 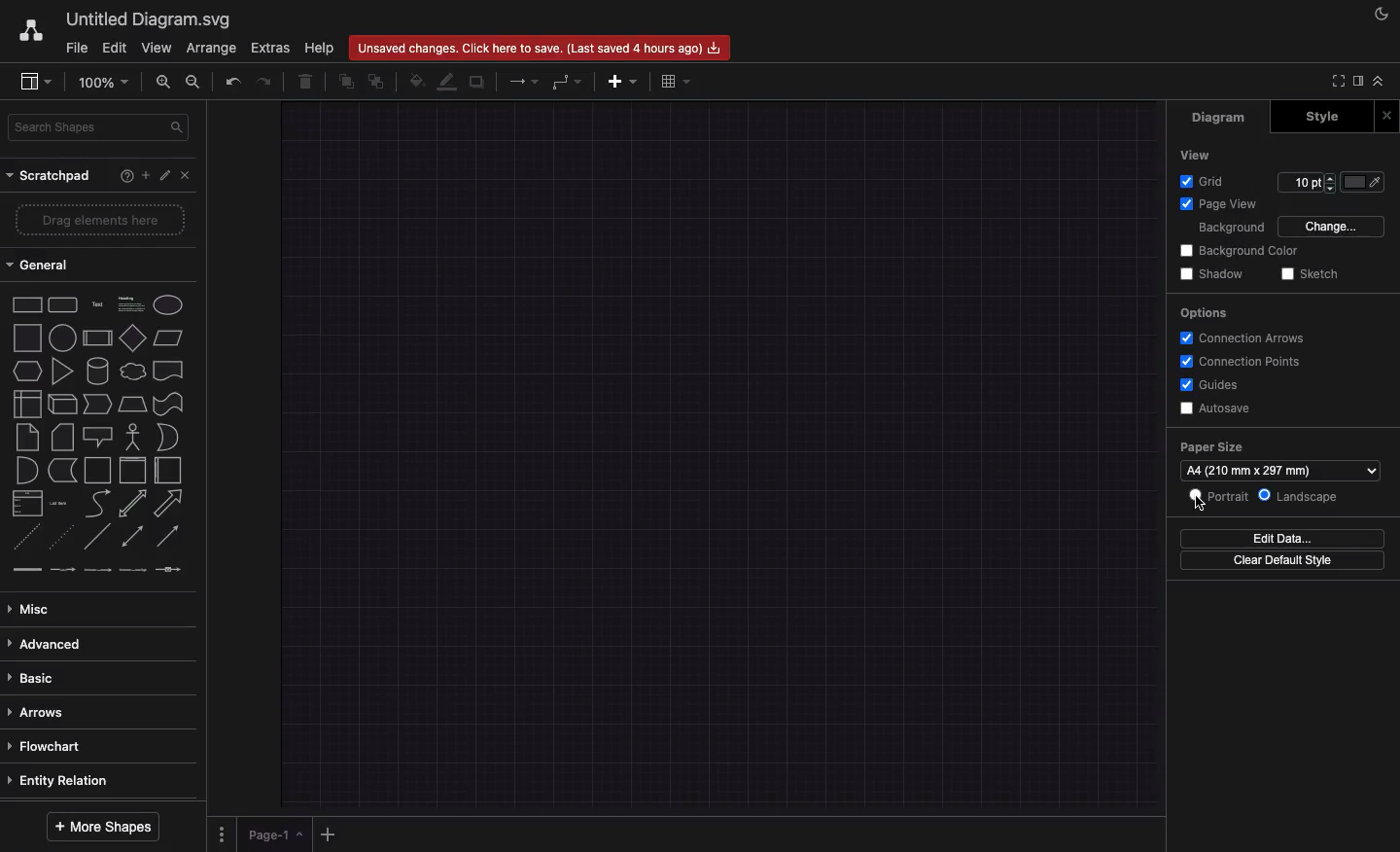 I want to click on Connection arrows, so click(x=1246, y=338).